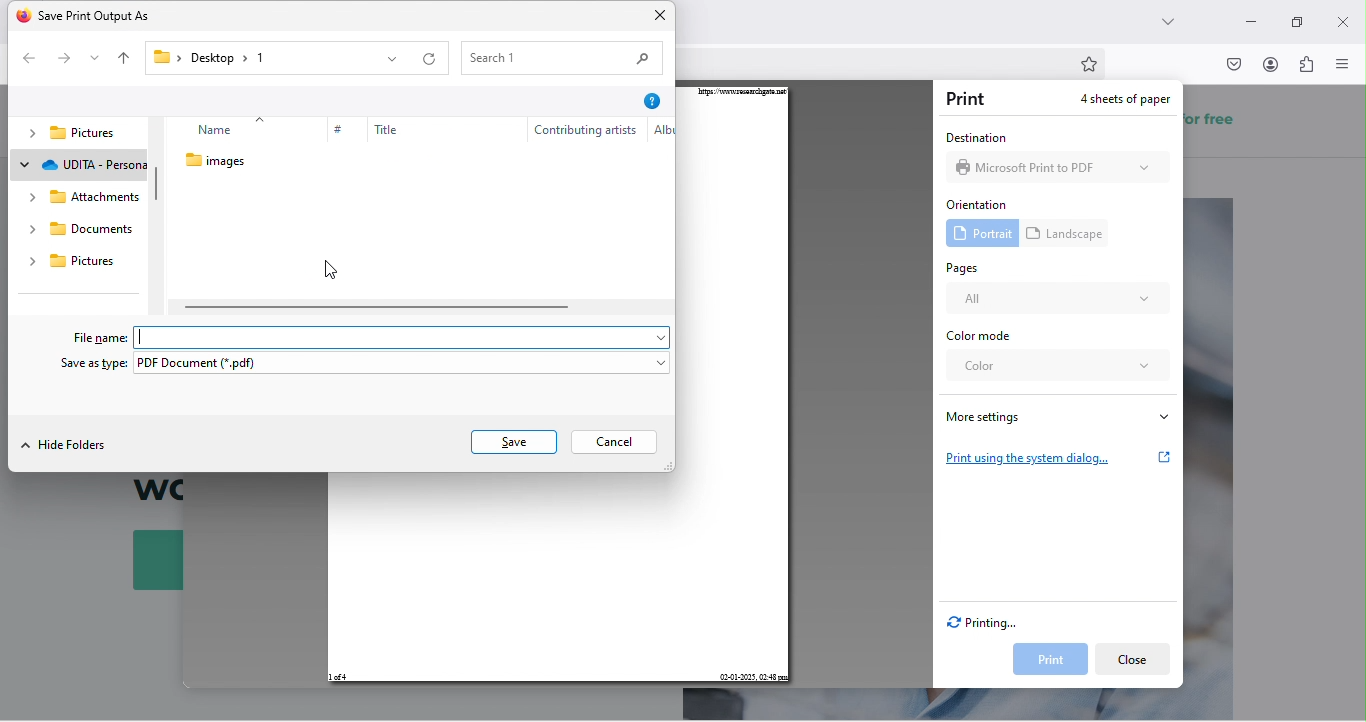  What do you see at coordinates (78, 199) in the screenshot?
I see `attachments` at bounding box center [78, 199].